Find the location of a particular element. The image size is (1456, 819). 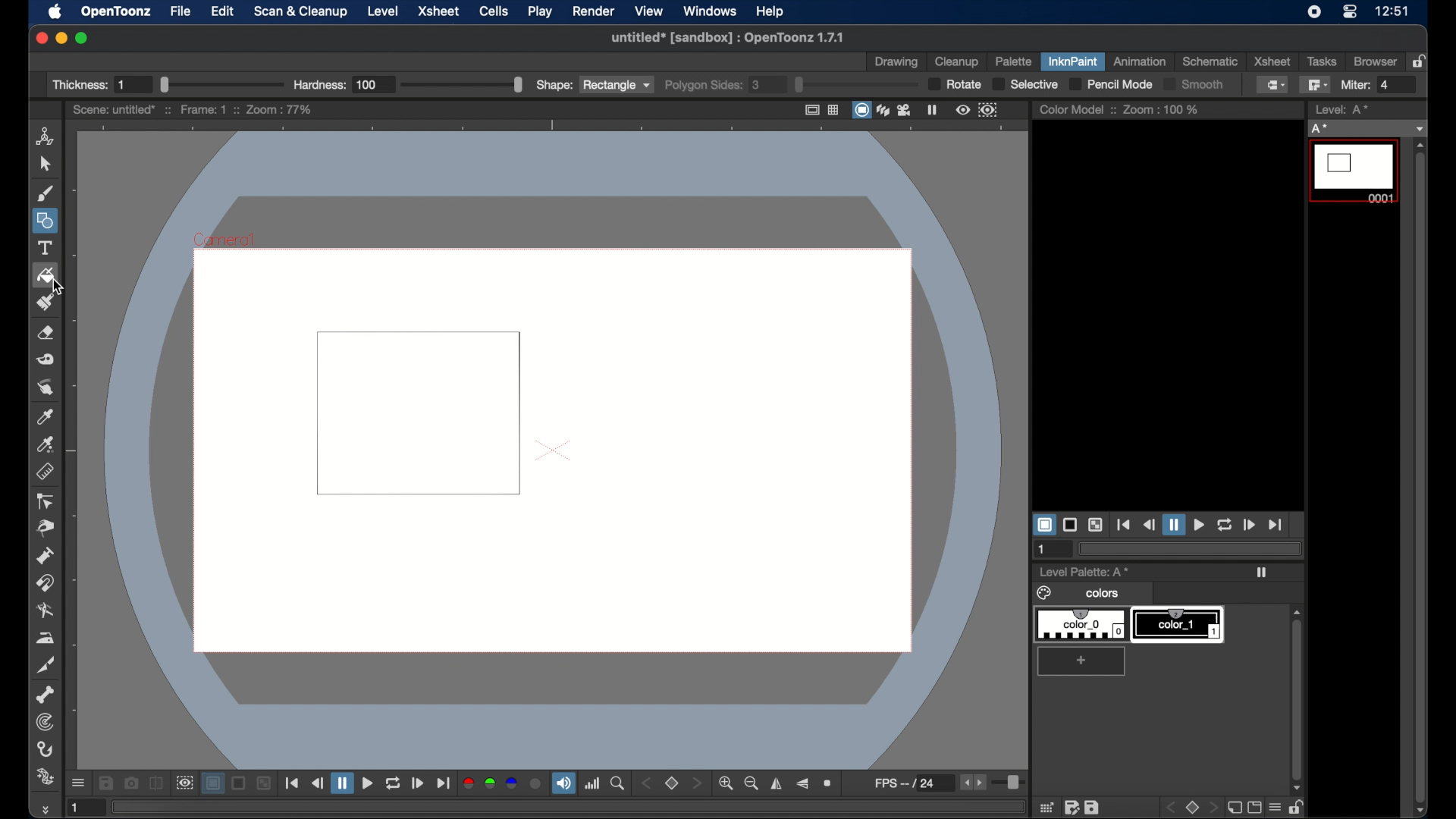

grid is located at coordinates (1047, 807).